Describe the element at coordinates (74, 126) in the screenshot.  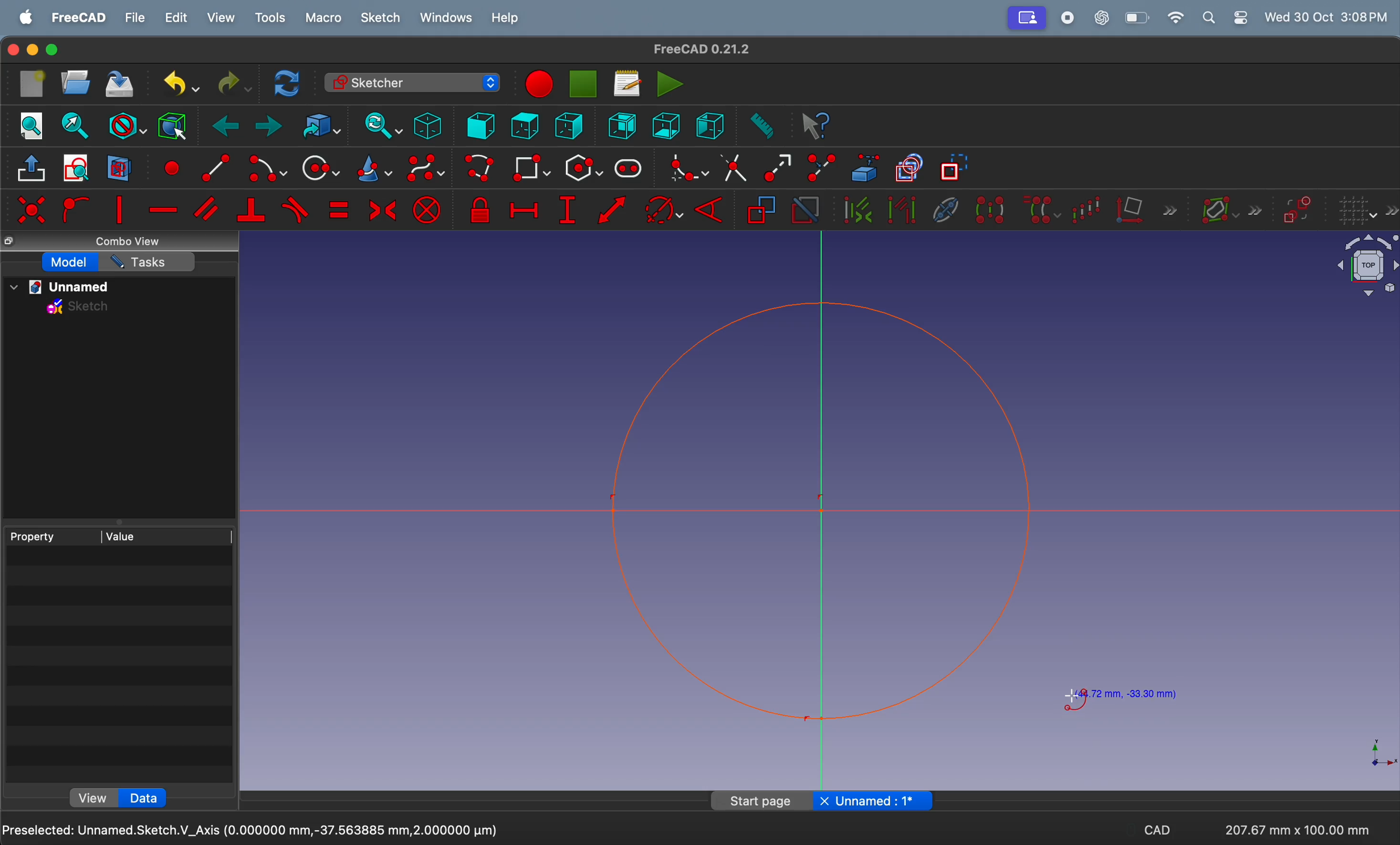
I see `fit section` at that location.